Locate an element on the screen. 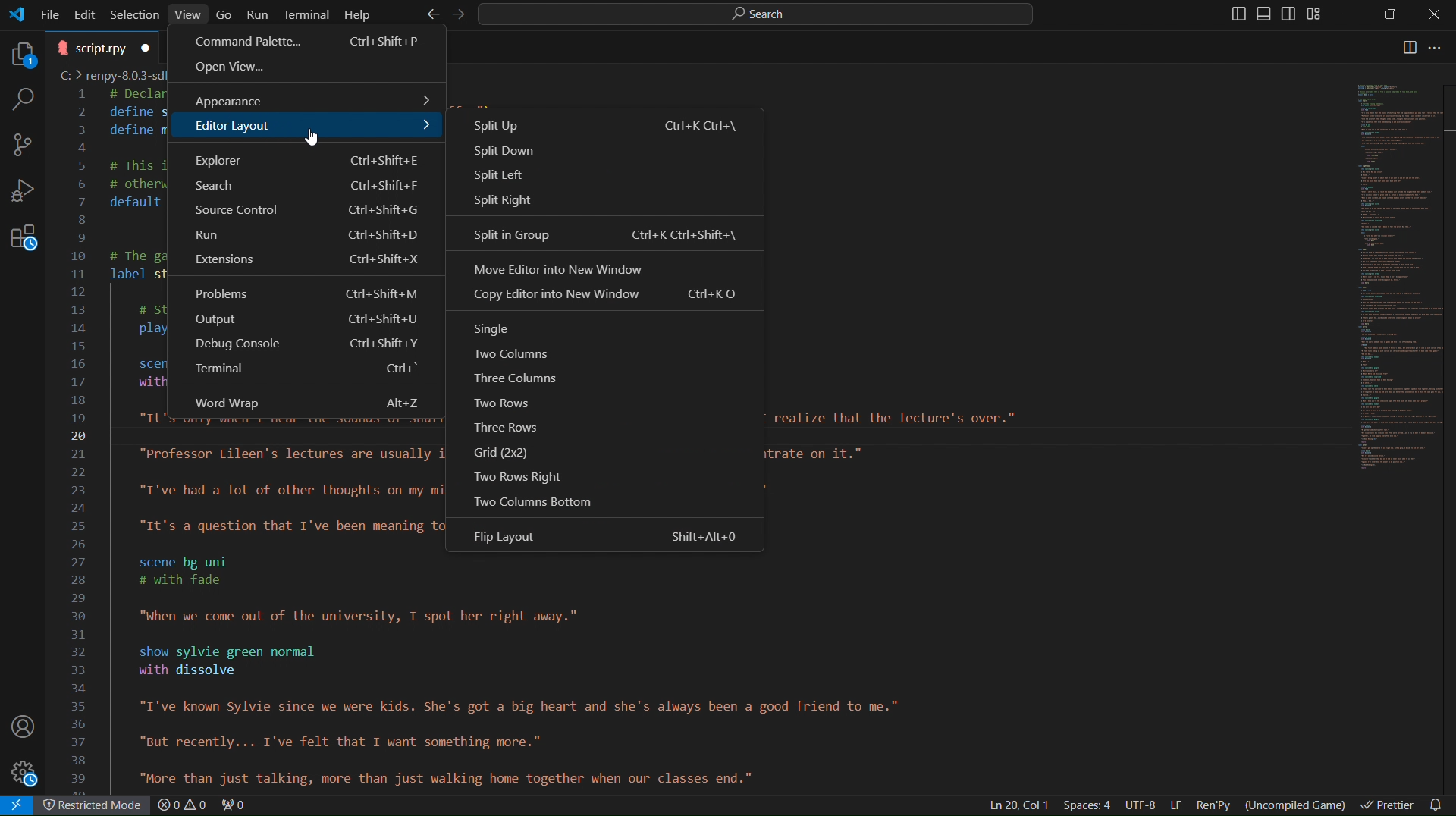 Image resolution: width=1456 pixels, height=816 pixels. Grid(2x2) is located at coordinates (510, 452).